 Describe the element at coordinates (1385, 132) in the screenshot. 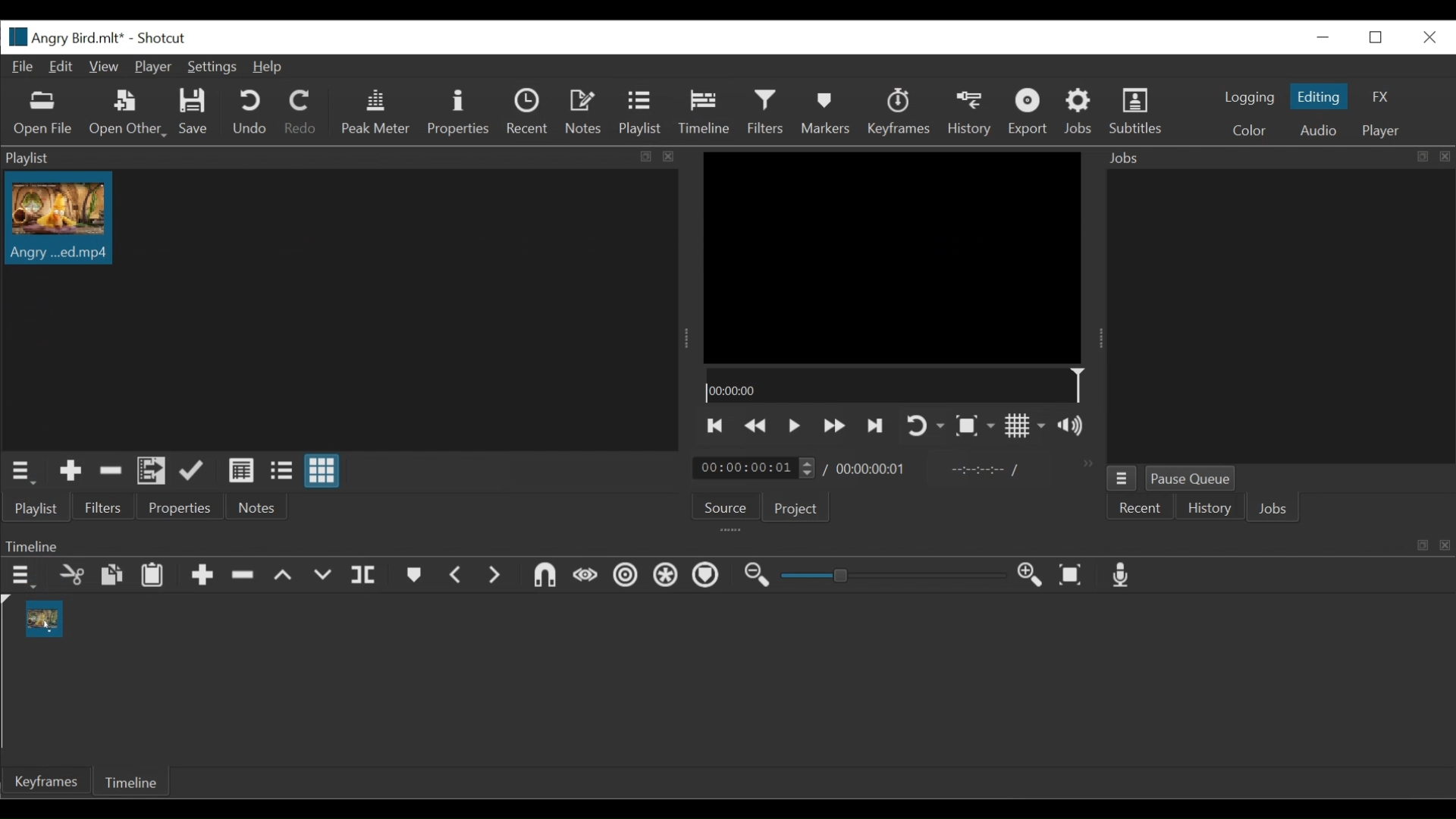

I see `Player` at that location.